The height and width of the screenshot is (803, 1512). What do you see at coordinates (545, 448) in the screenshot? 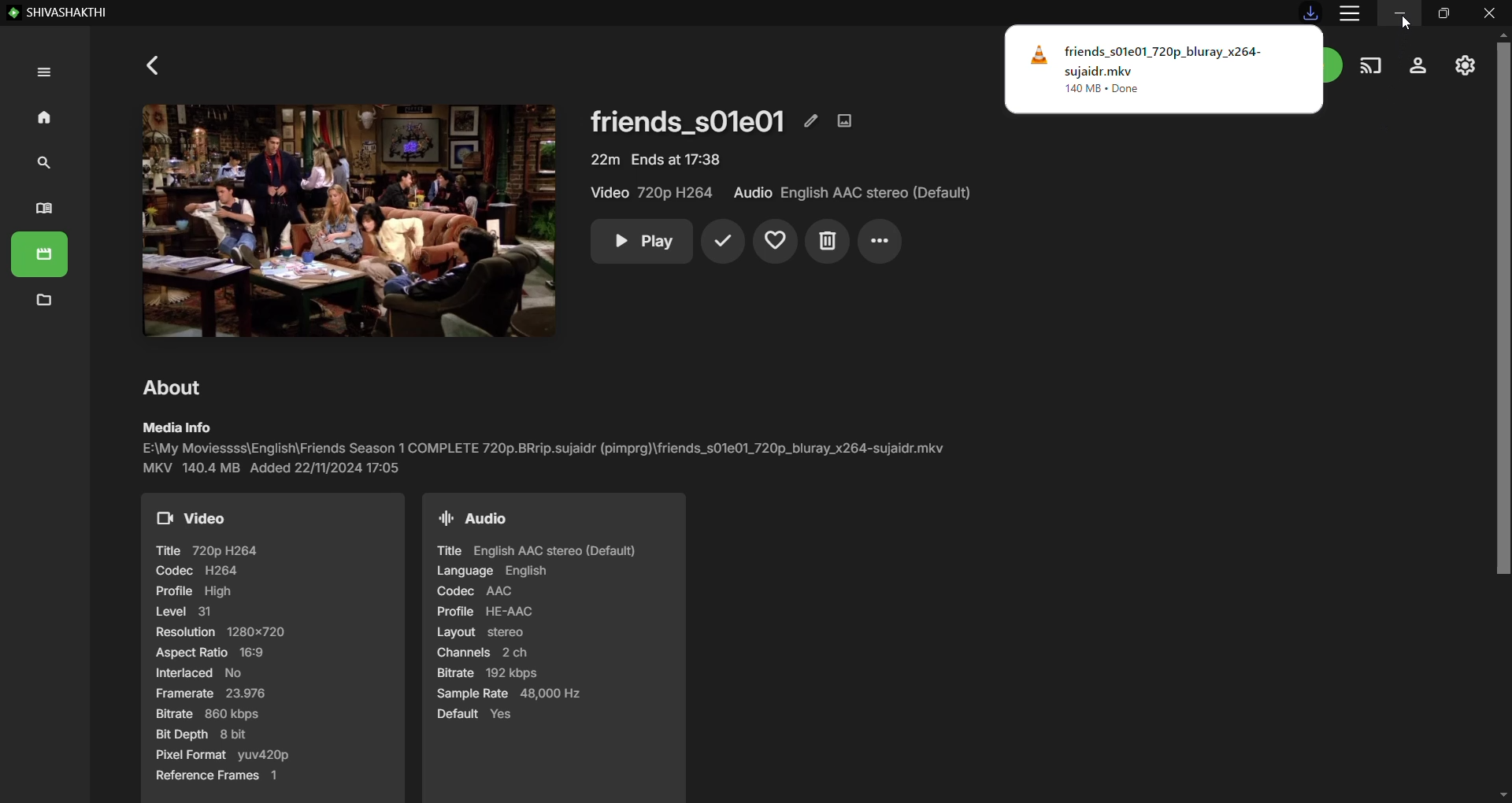
I see `Media Info` at bounding box center [545, 448].